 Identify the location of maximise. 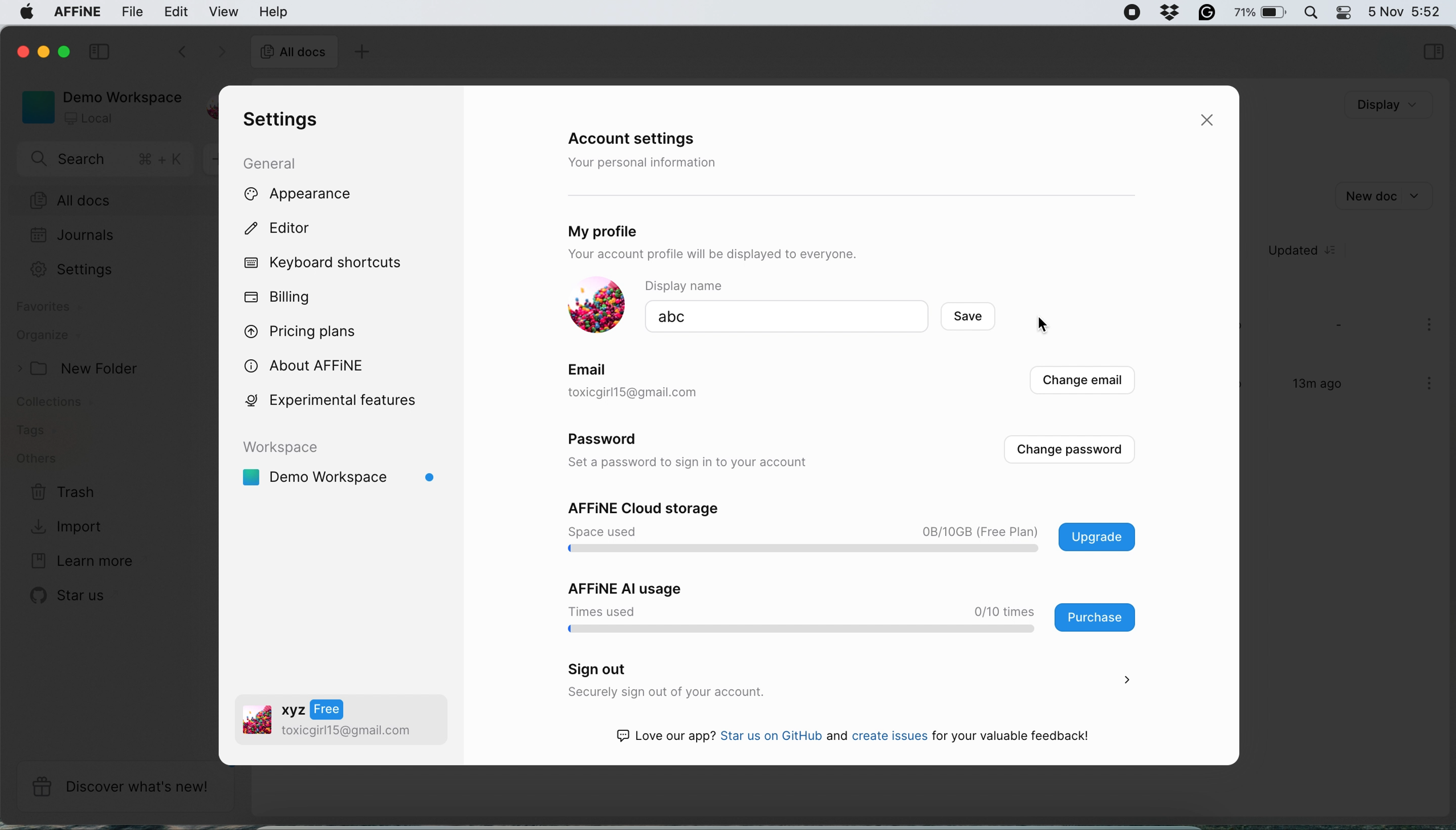
(68, 51).